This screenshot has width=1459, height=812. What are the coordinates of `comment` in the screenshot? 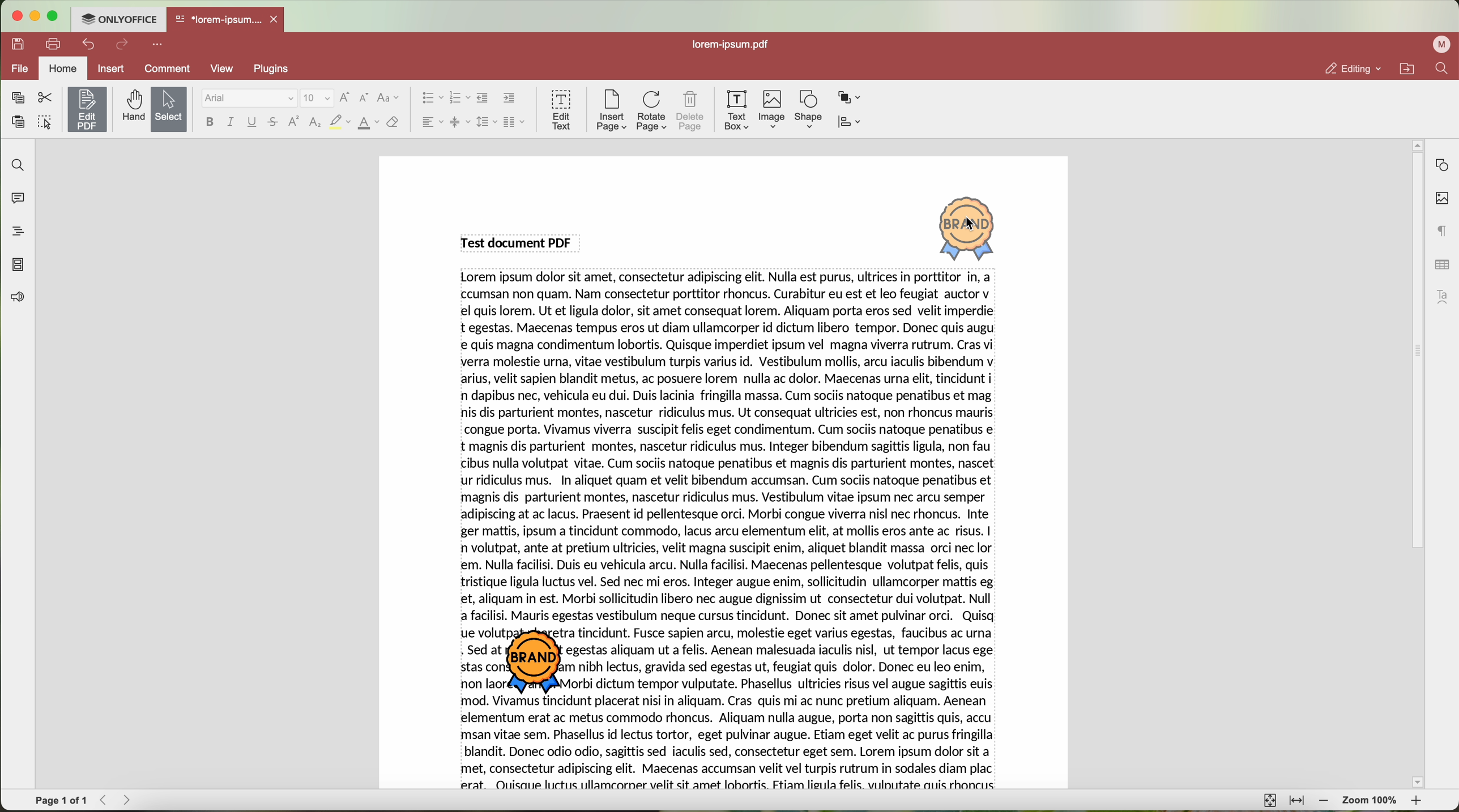 It's located at (169, 70).